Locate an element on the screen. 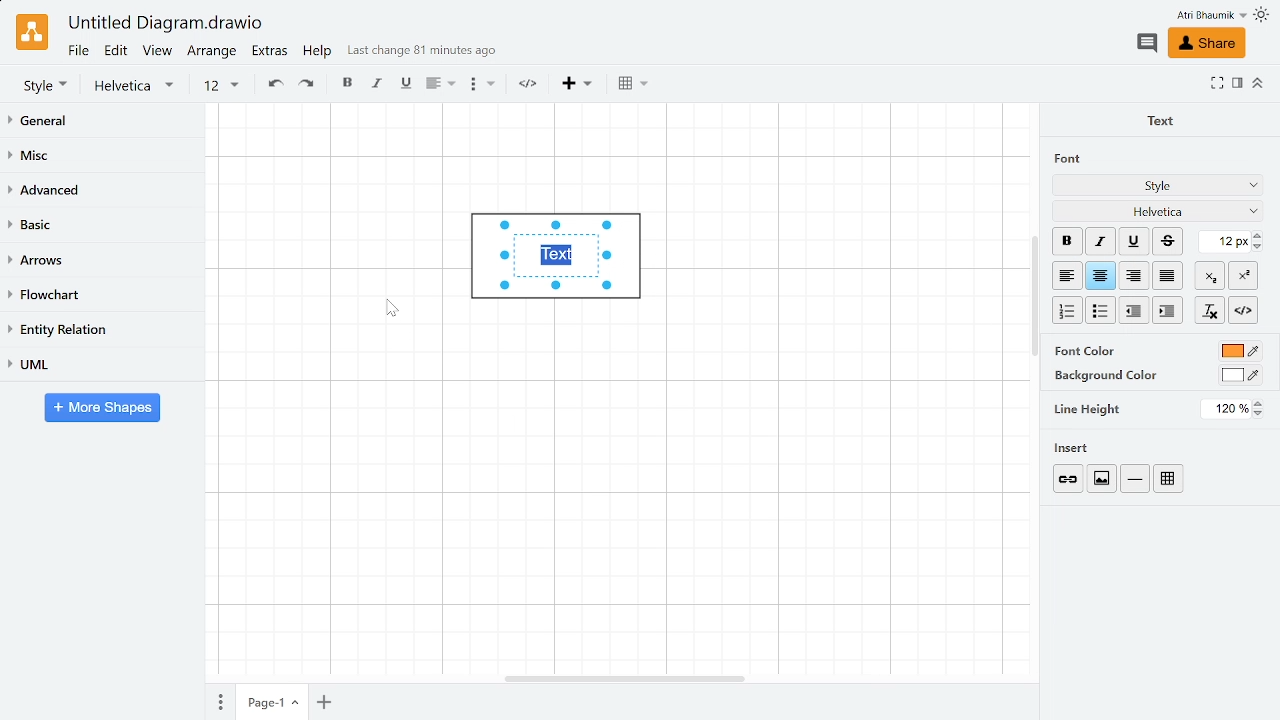 This screenshot has height=720, width=1280. Increase font size is located at coordinates (1259, 235).